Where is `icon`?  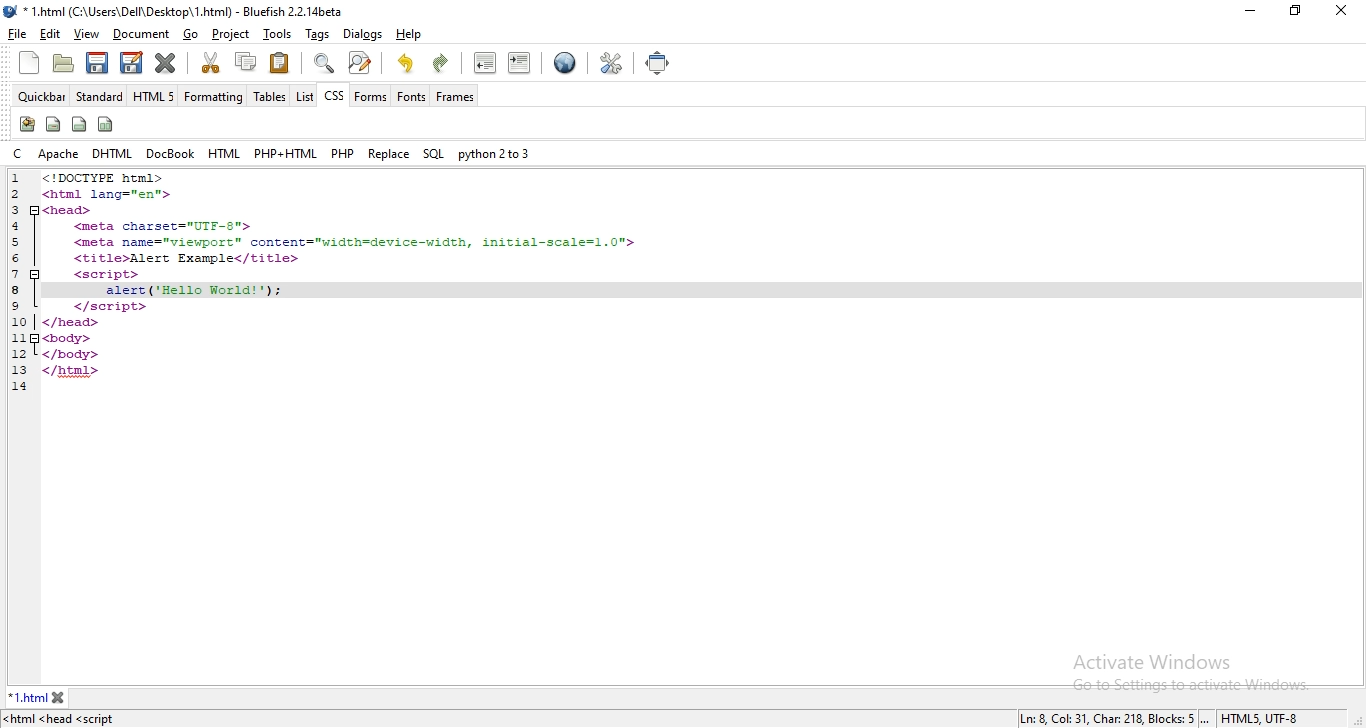
icon is located at coordinates (26, 125).